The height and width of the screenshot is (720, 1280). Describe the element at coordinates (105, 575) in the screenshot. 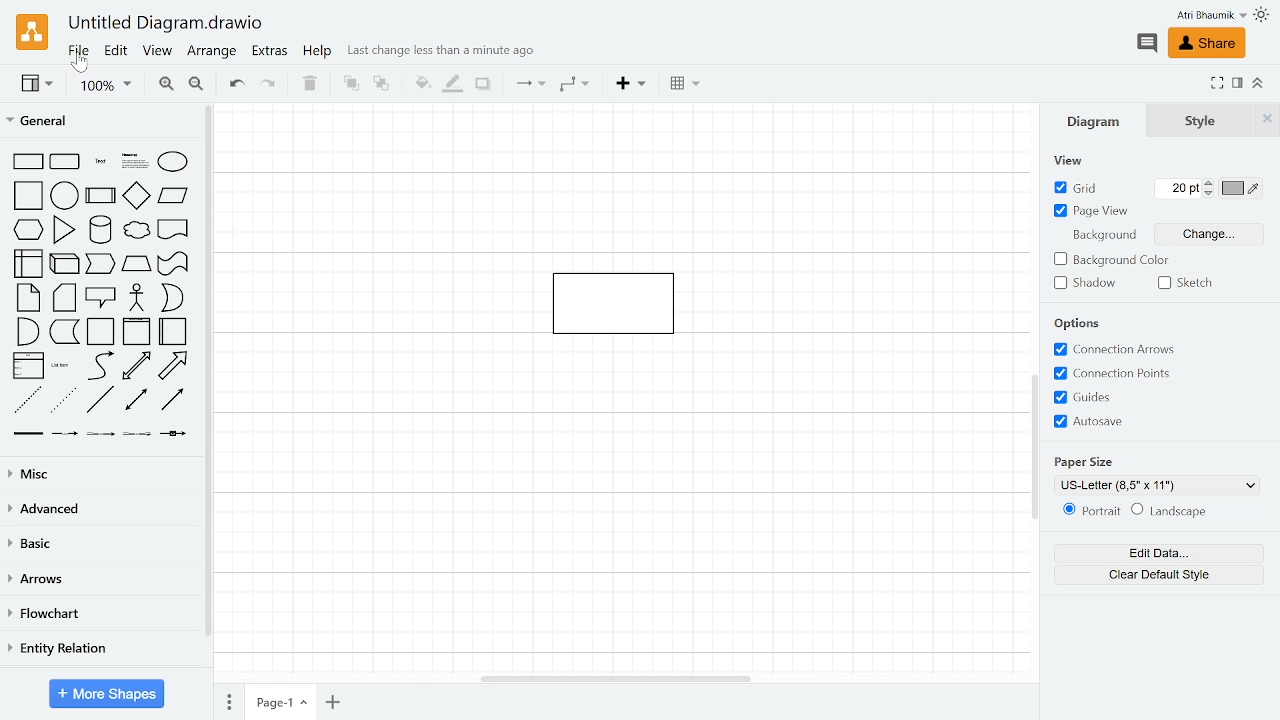

I see `Arrows` at that location.